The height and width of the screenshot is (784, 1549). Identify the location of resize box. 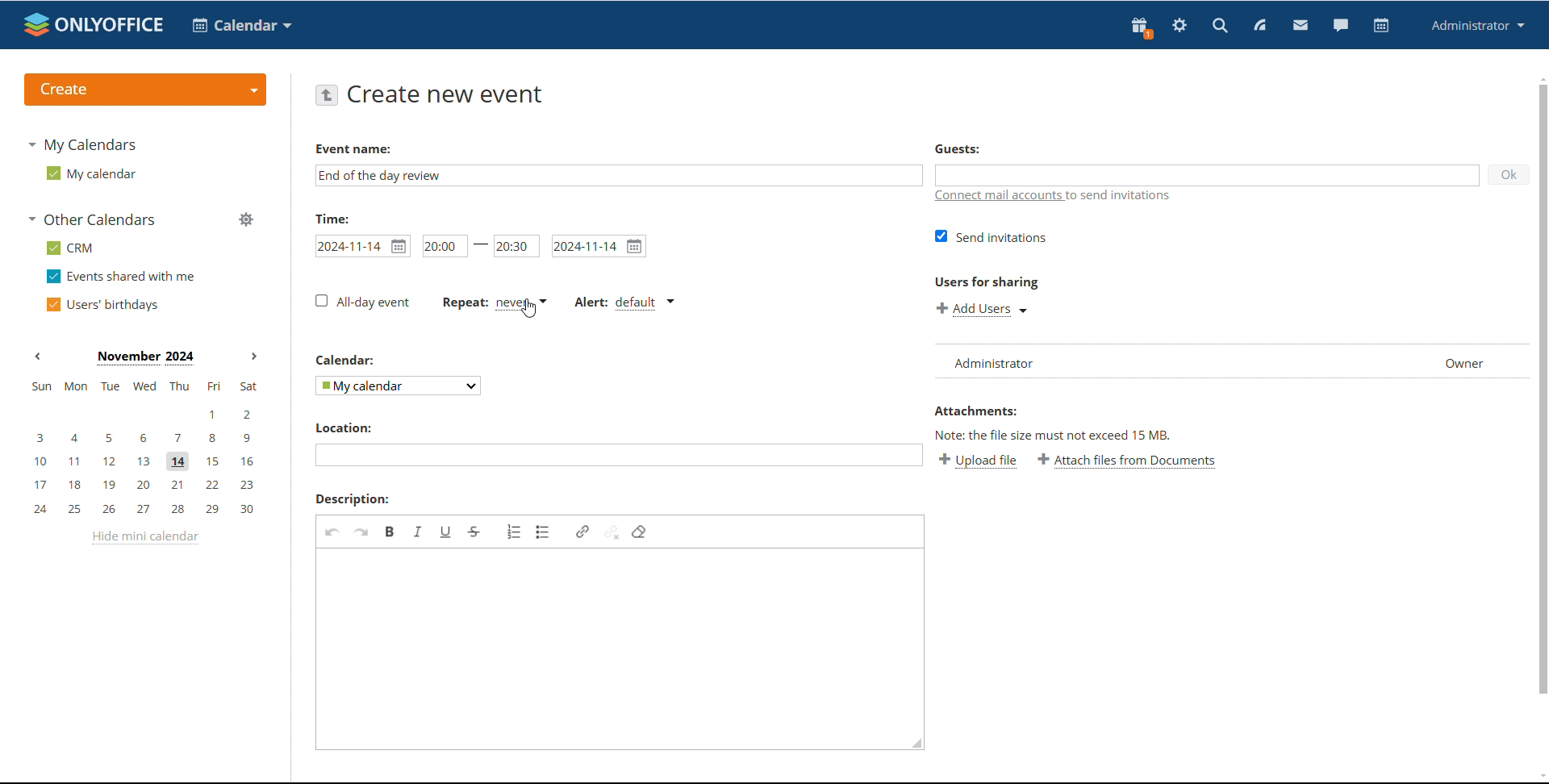
(913, 746).